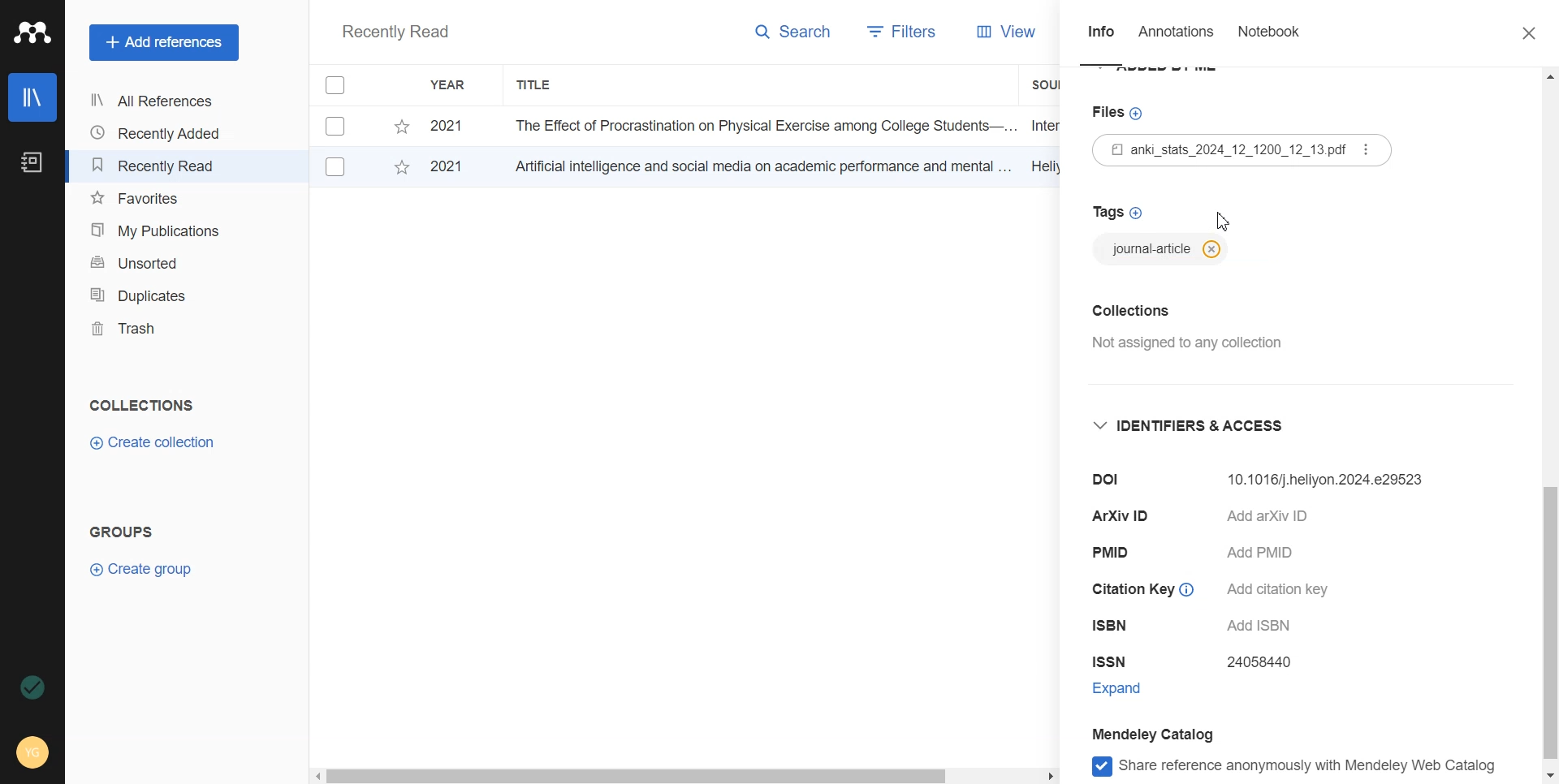 Image resolution: width=1559 pixels, height=784 pixels. Describe the element at coordinates (158, 101) in the screenshot. I see `All References` at that location.